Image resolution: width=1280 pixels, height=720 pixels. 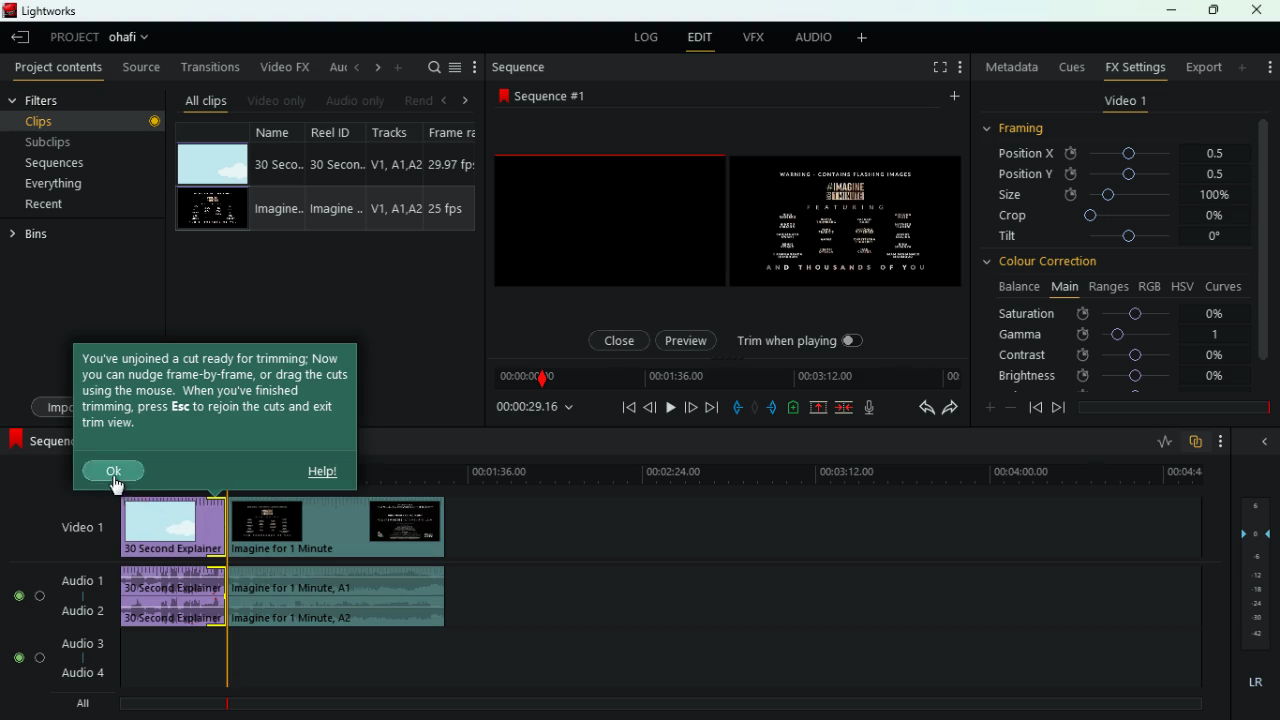 I want to click on size, so click(x=1115, y=194).